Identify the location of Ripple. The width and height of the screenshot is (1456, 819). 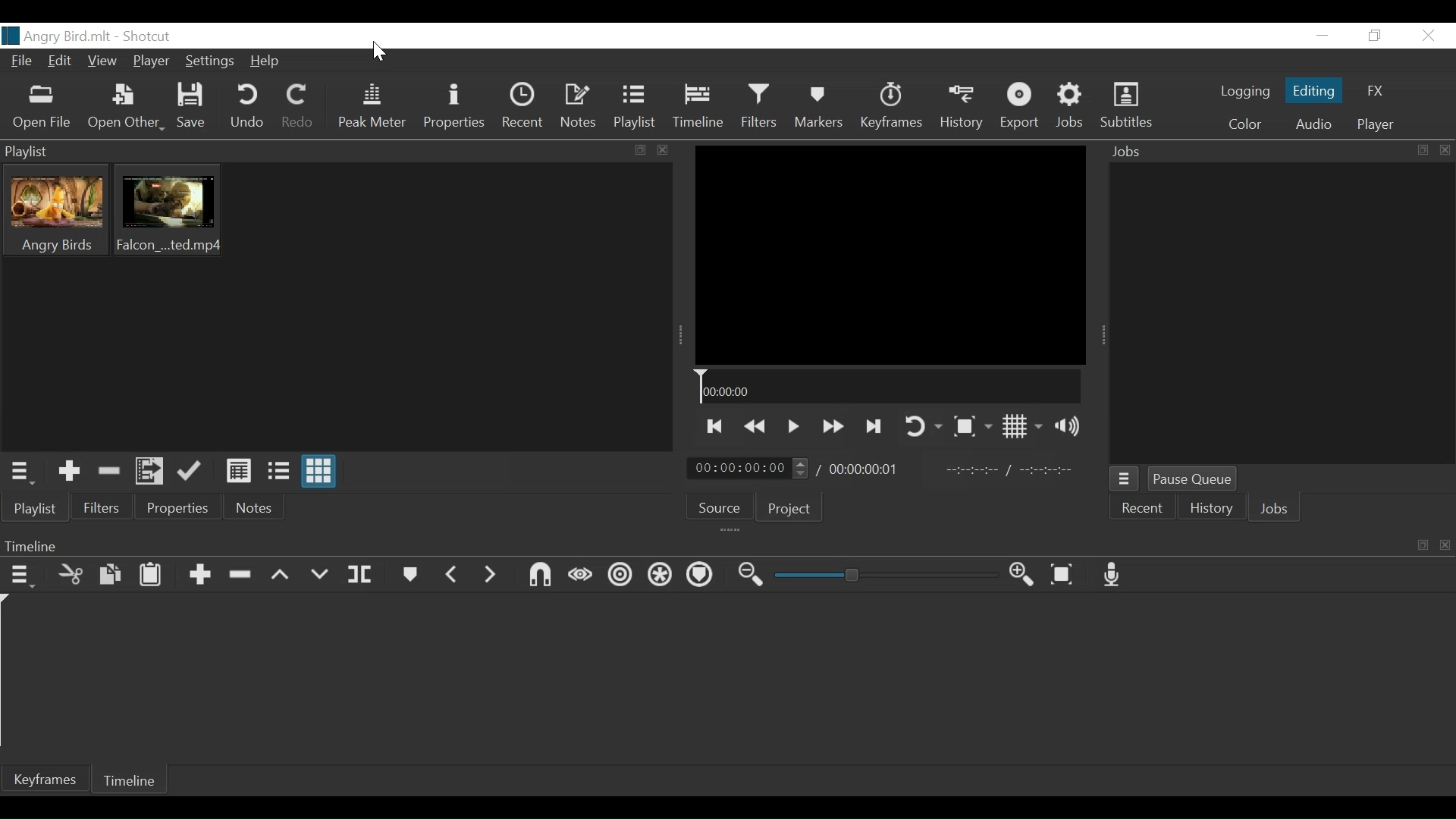
(622, 575).